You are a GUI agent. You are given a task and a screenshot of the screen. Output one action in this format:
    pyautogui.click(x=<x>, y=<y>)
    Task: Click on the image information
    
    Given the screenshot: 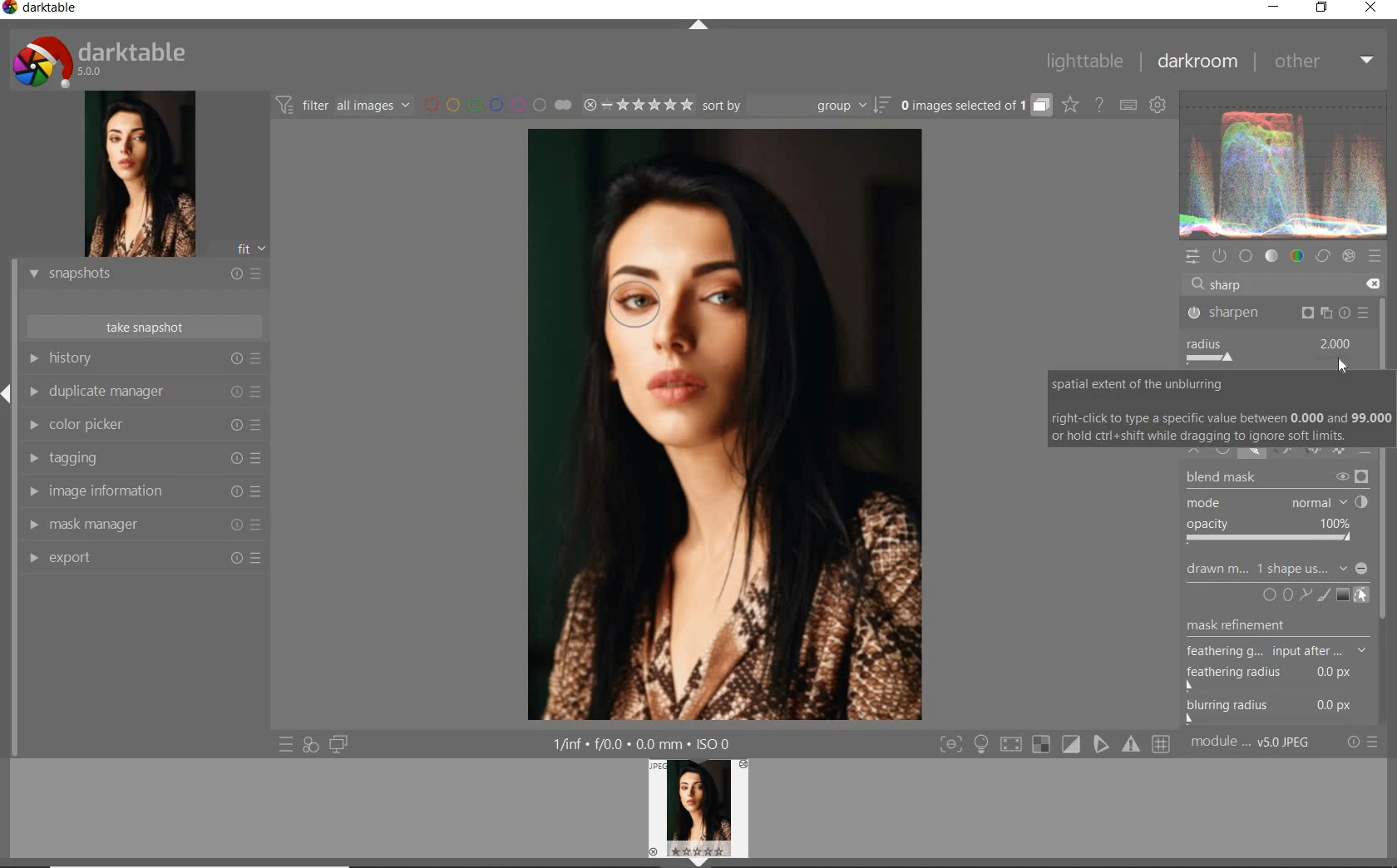 What is the action you would take?
    pyautogui.click(x=143, y=491)
    